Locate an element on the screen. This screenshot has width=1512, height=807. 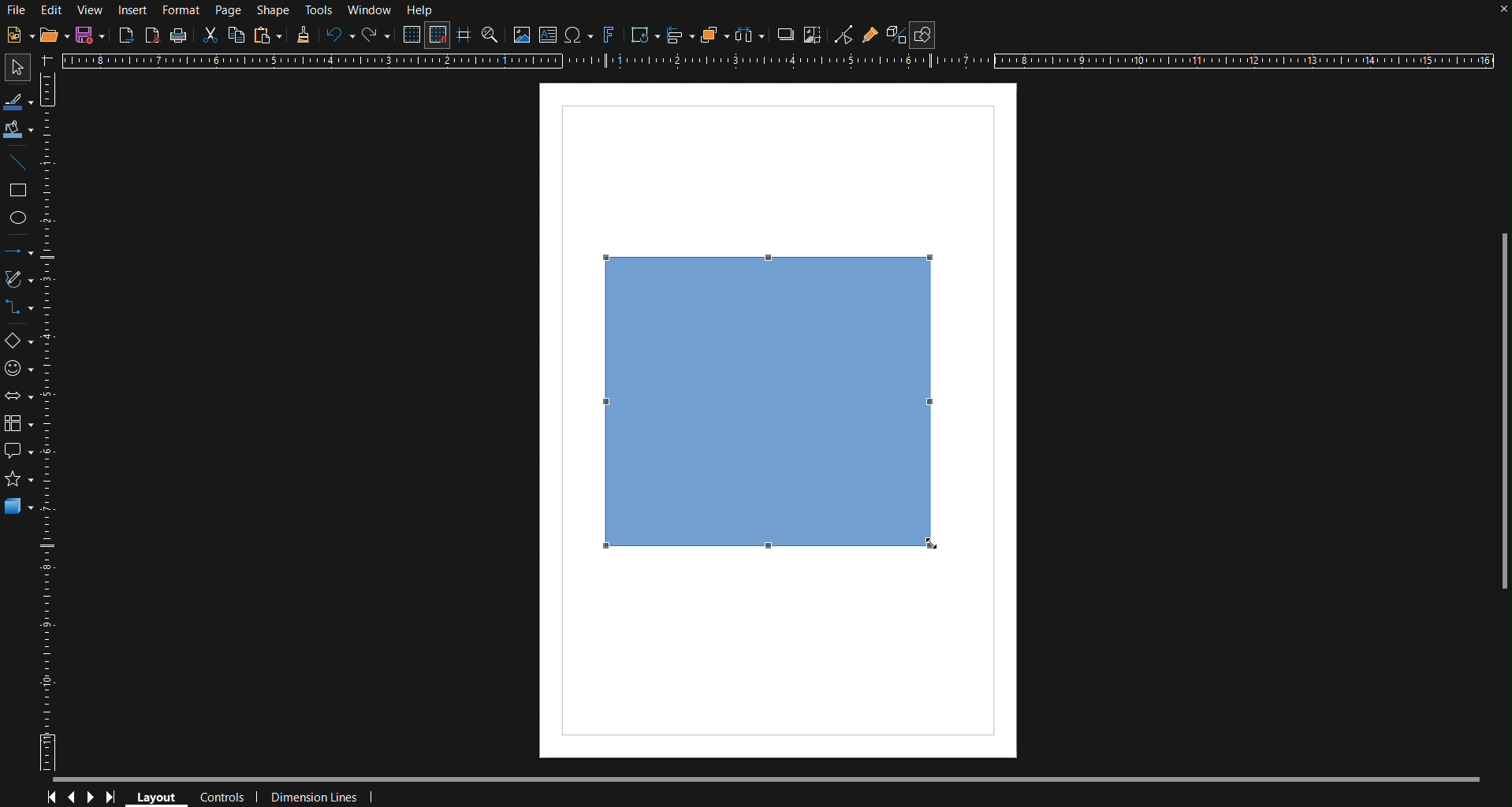
Show Gluepoints is located at coordinates (870, 35).